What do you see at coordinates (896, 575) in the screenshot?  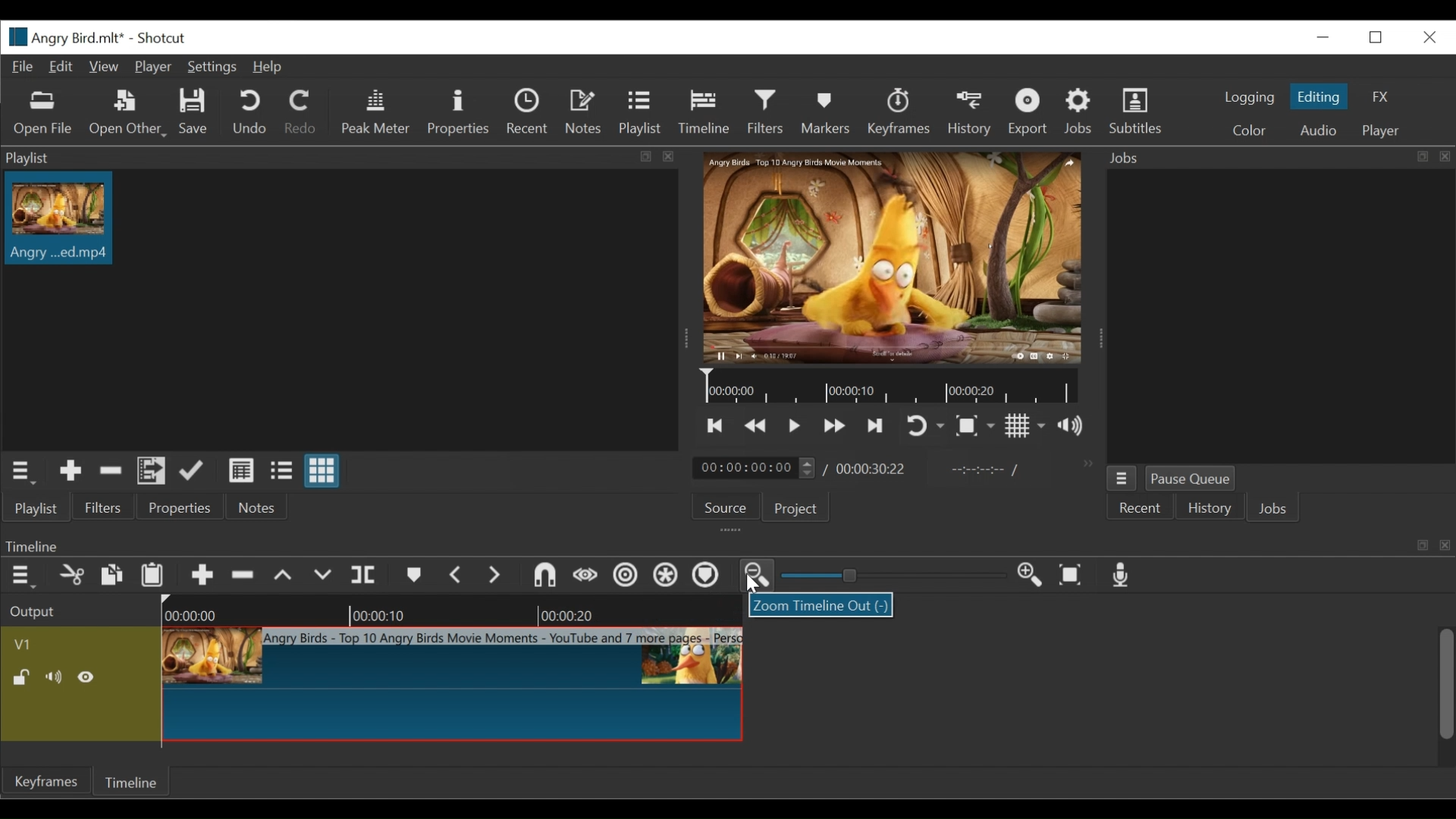 I see `Zoom slider` at bounding box center [896, 575].